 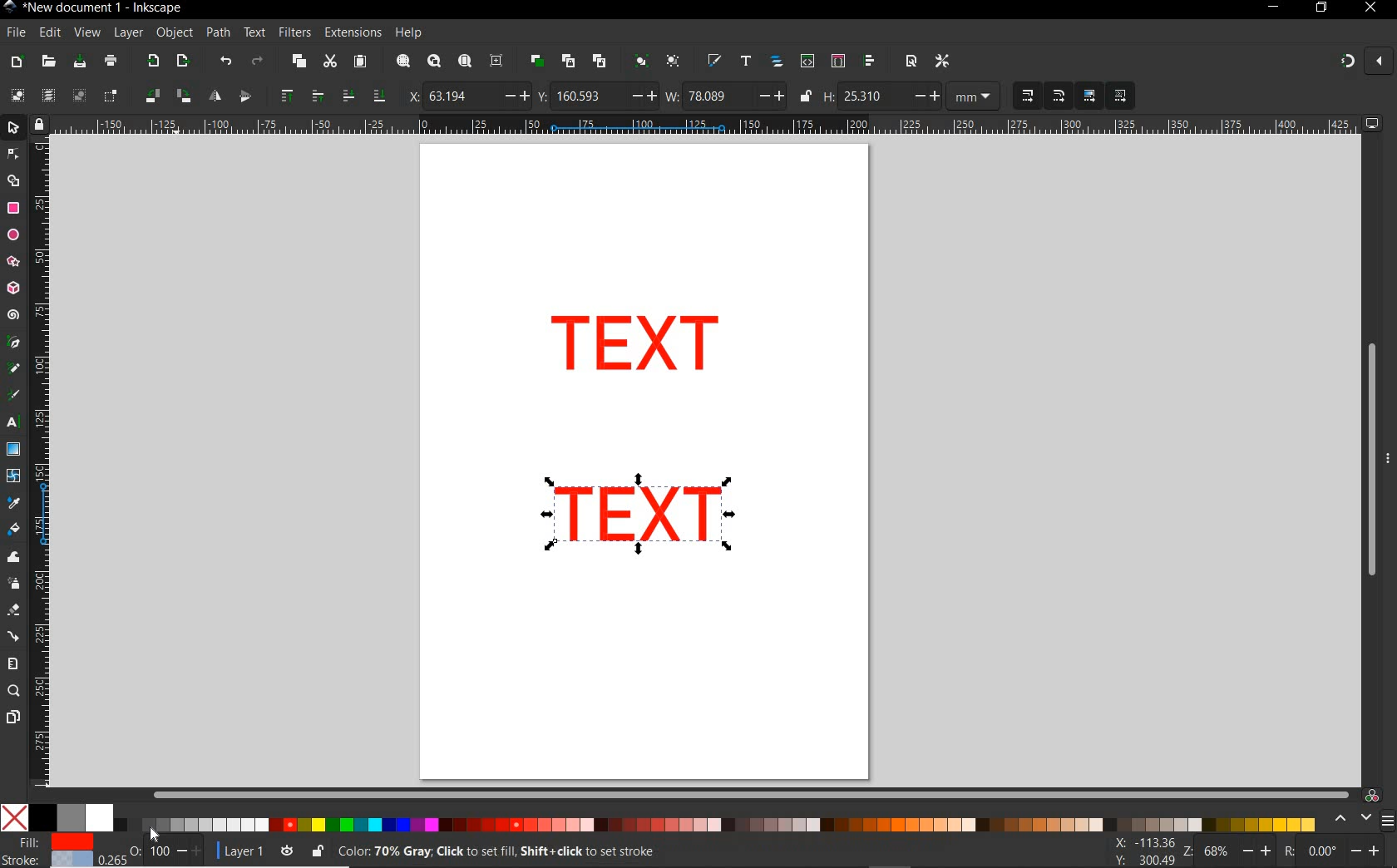 I want to click on fill and stroke, so click(x=51, y=851).